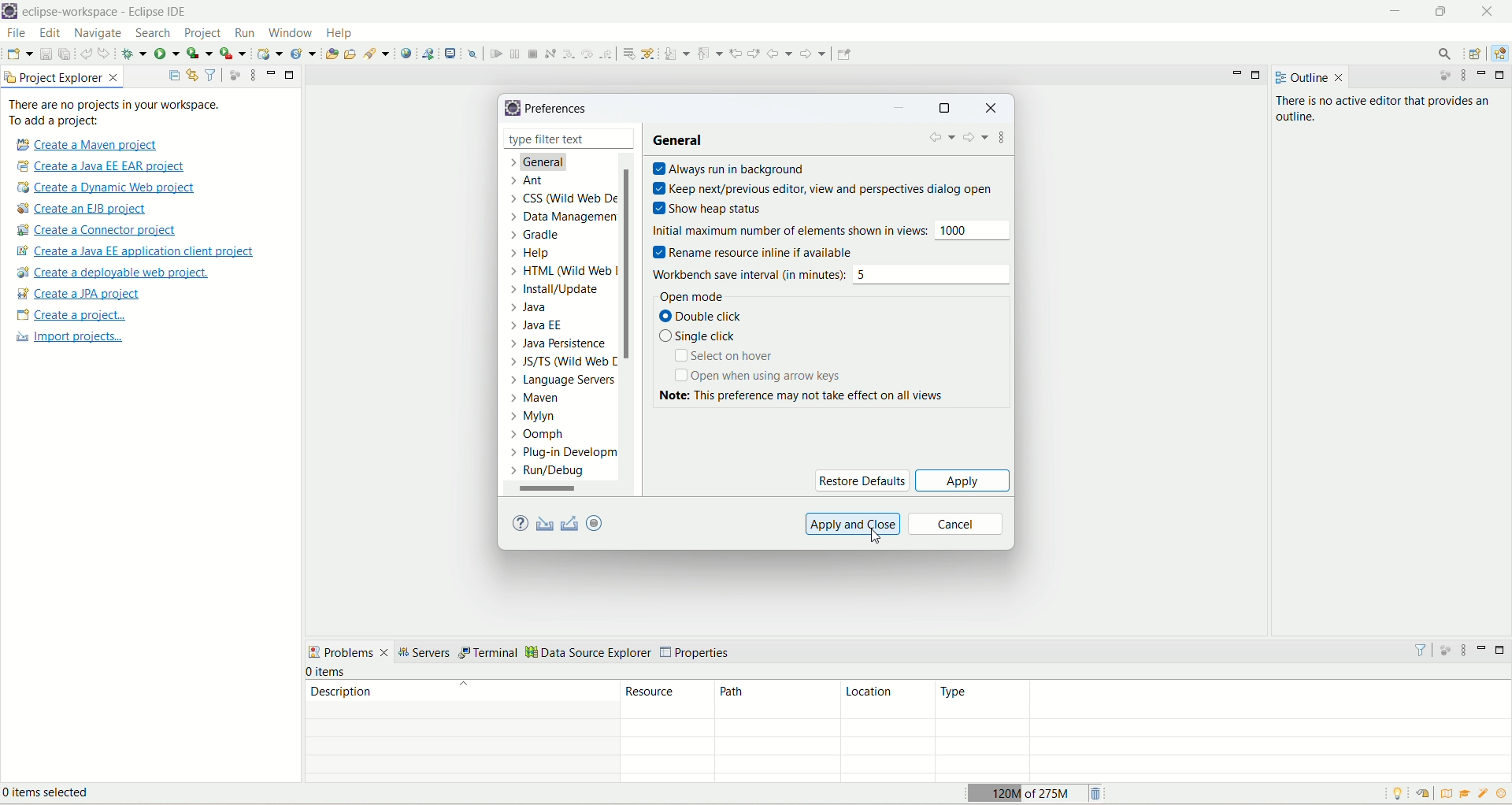  I want to click on eclipse workspace-Eclipse IDE, so click(109, 12).